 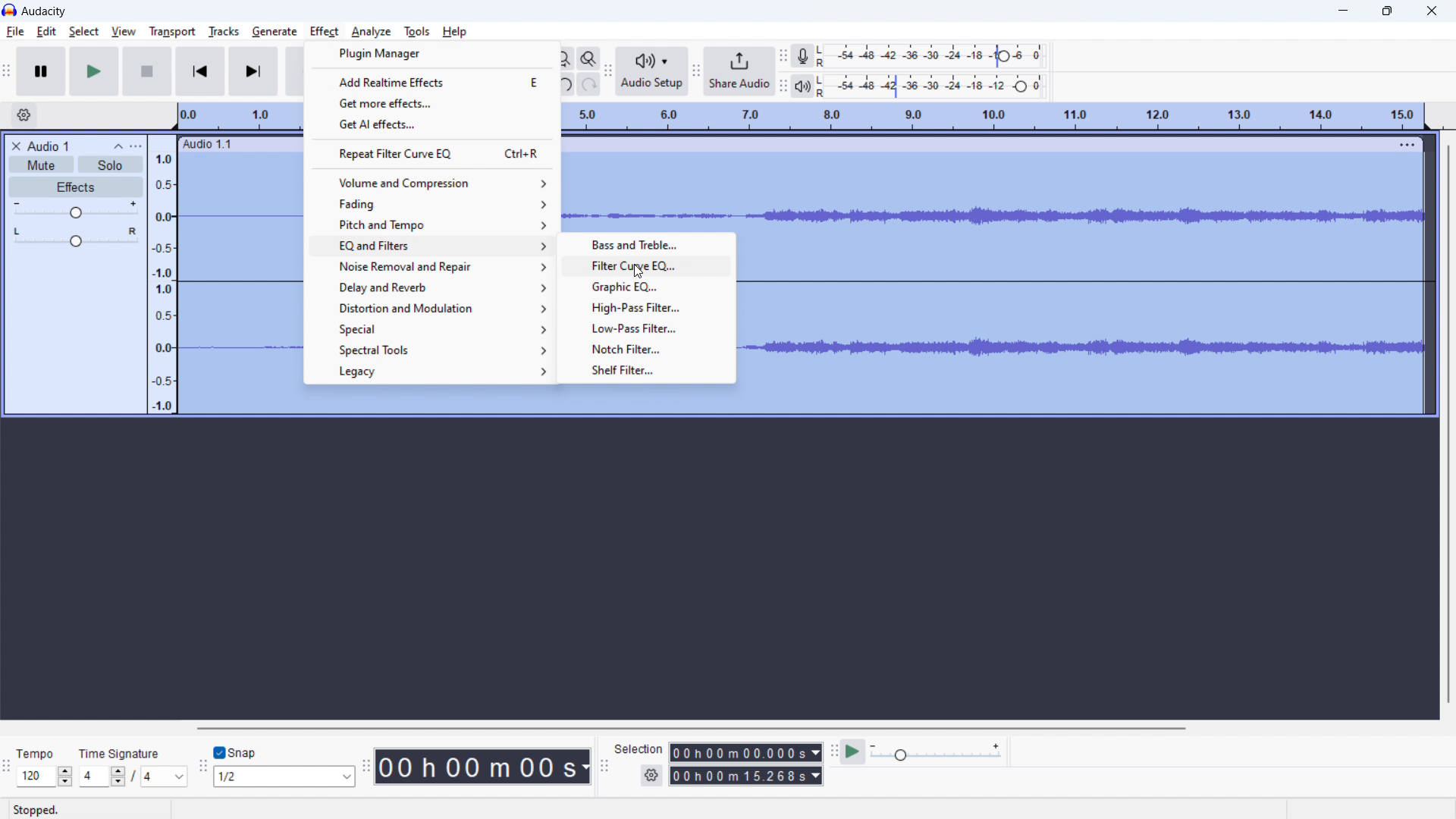 What do you see at coordinates (1401, 142) in the screenshot?
I see `menu` at bounding box center [1401, 142].